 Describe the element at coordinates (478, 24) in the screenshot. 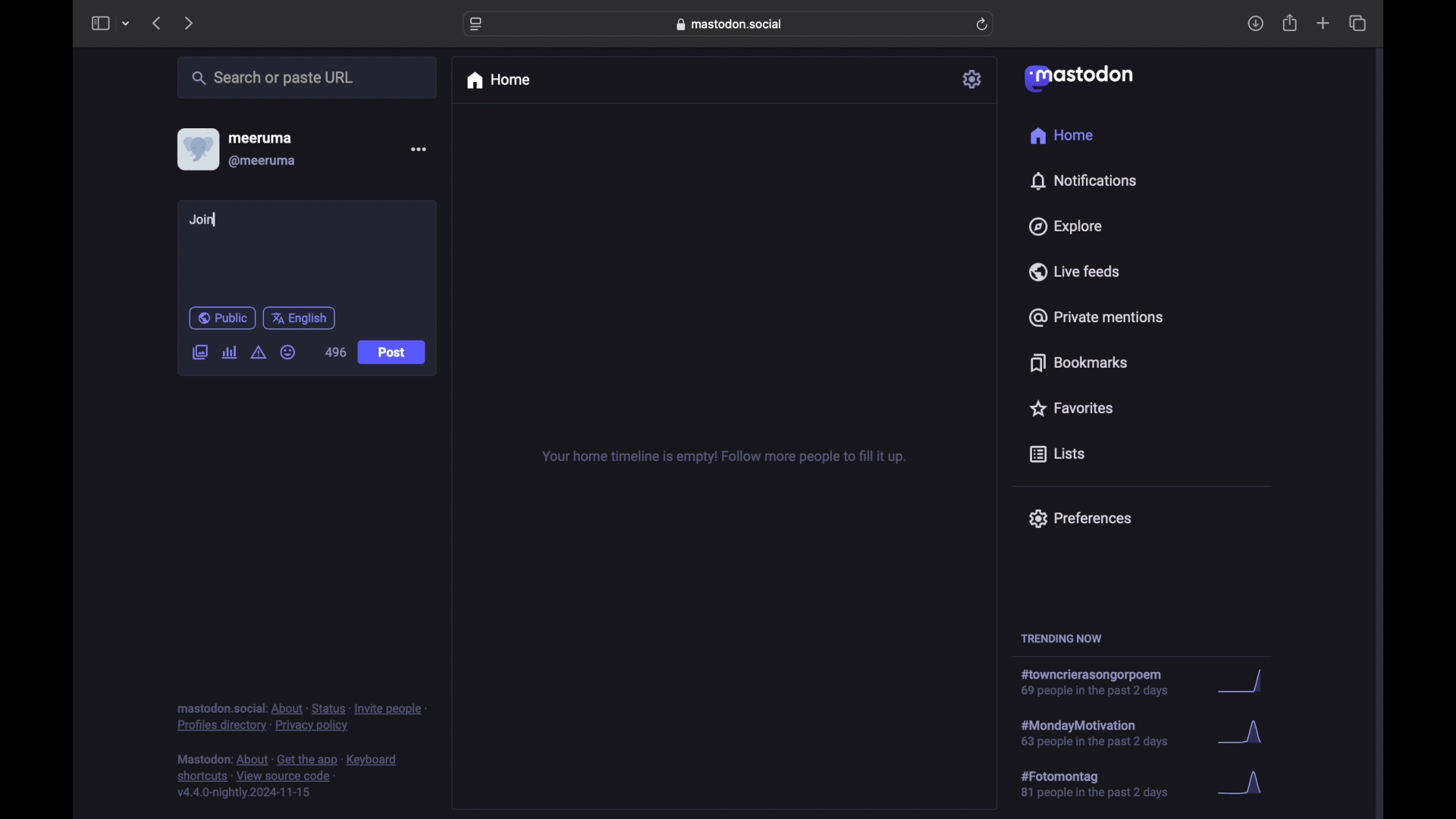

I see `website settings` at that location.